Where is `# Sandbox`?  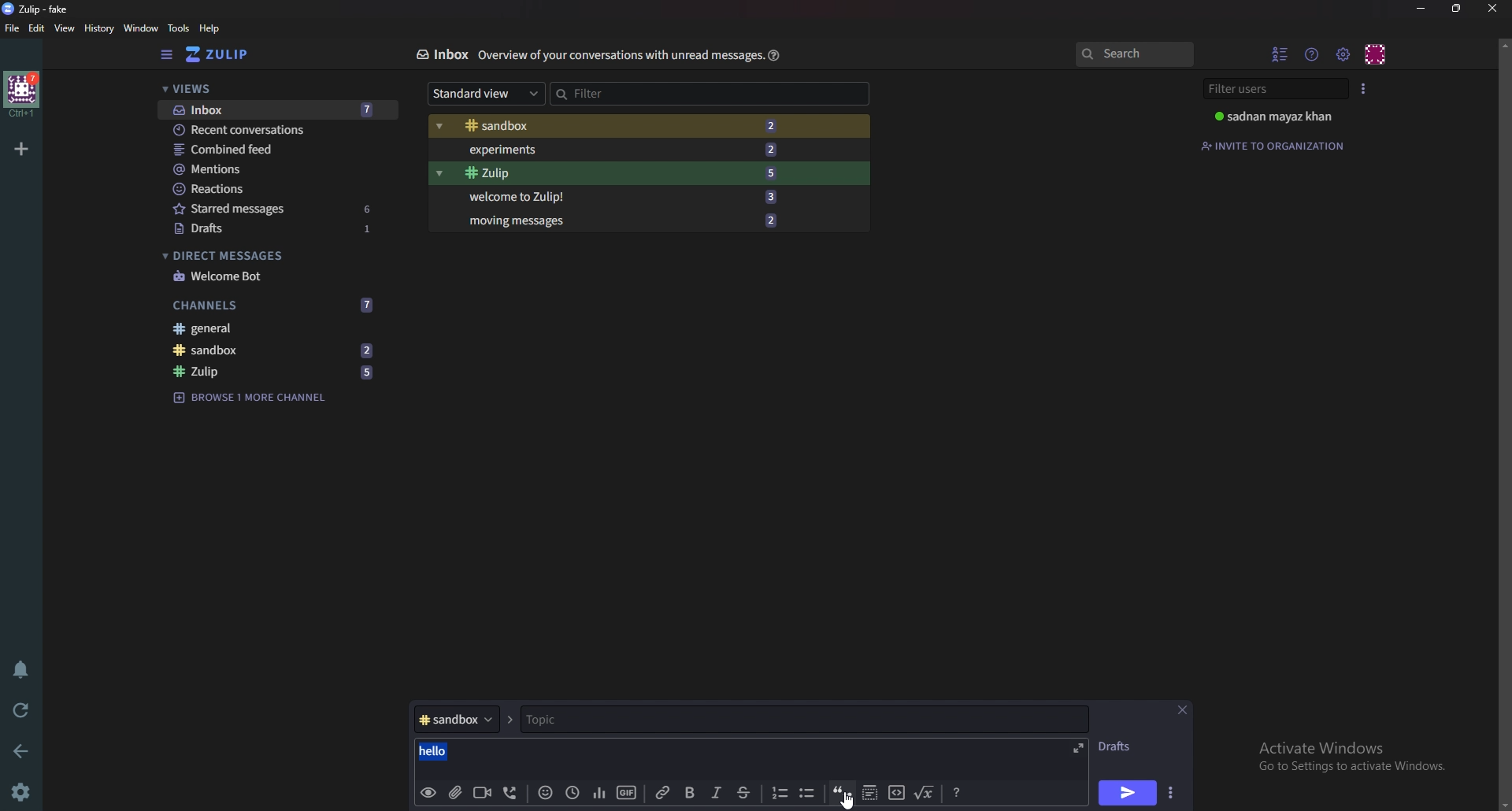
# Sandbox is located at coordinates (231, 351).